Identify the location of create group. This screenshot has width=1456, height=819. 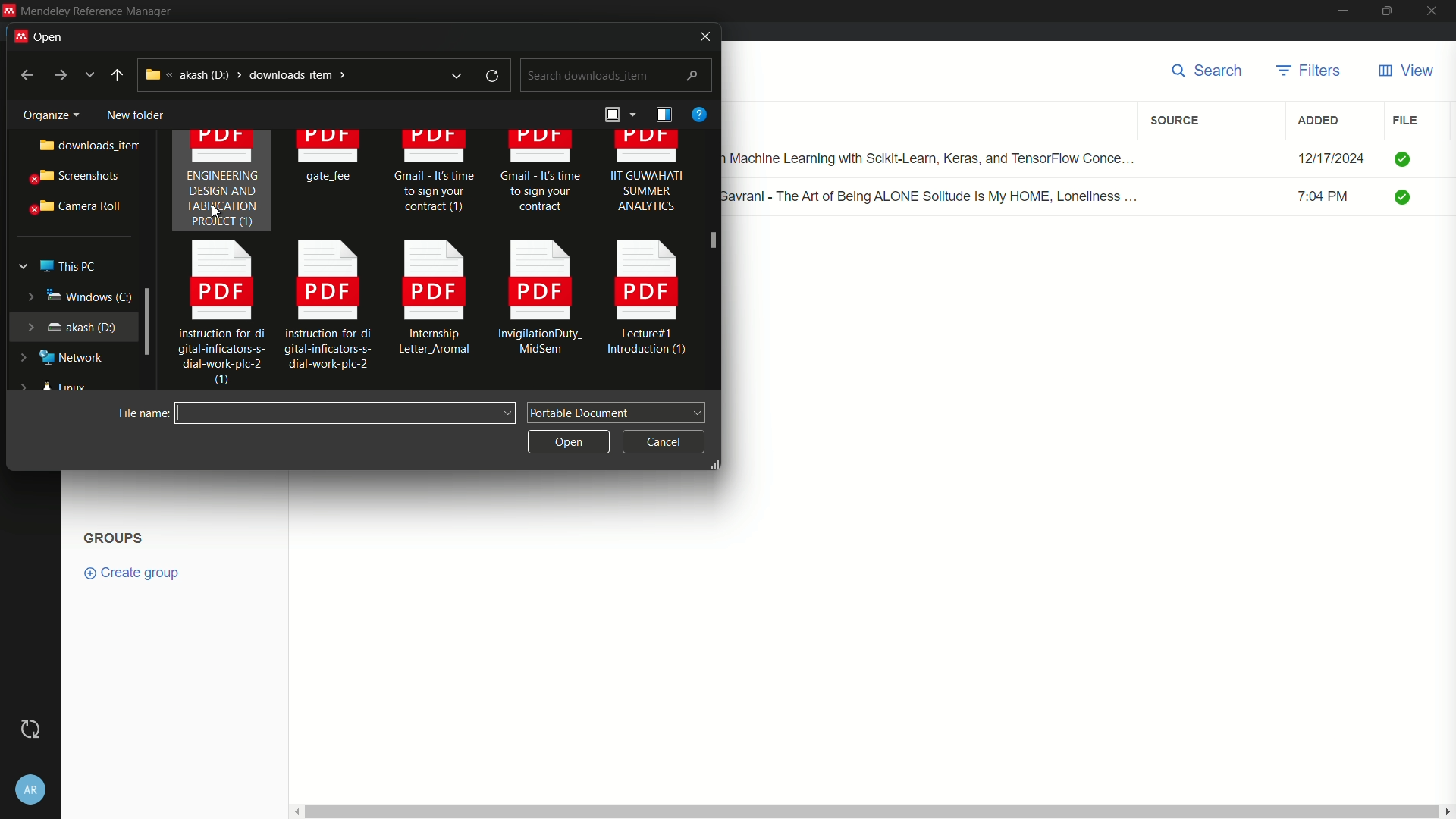
(140, 572).